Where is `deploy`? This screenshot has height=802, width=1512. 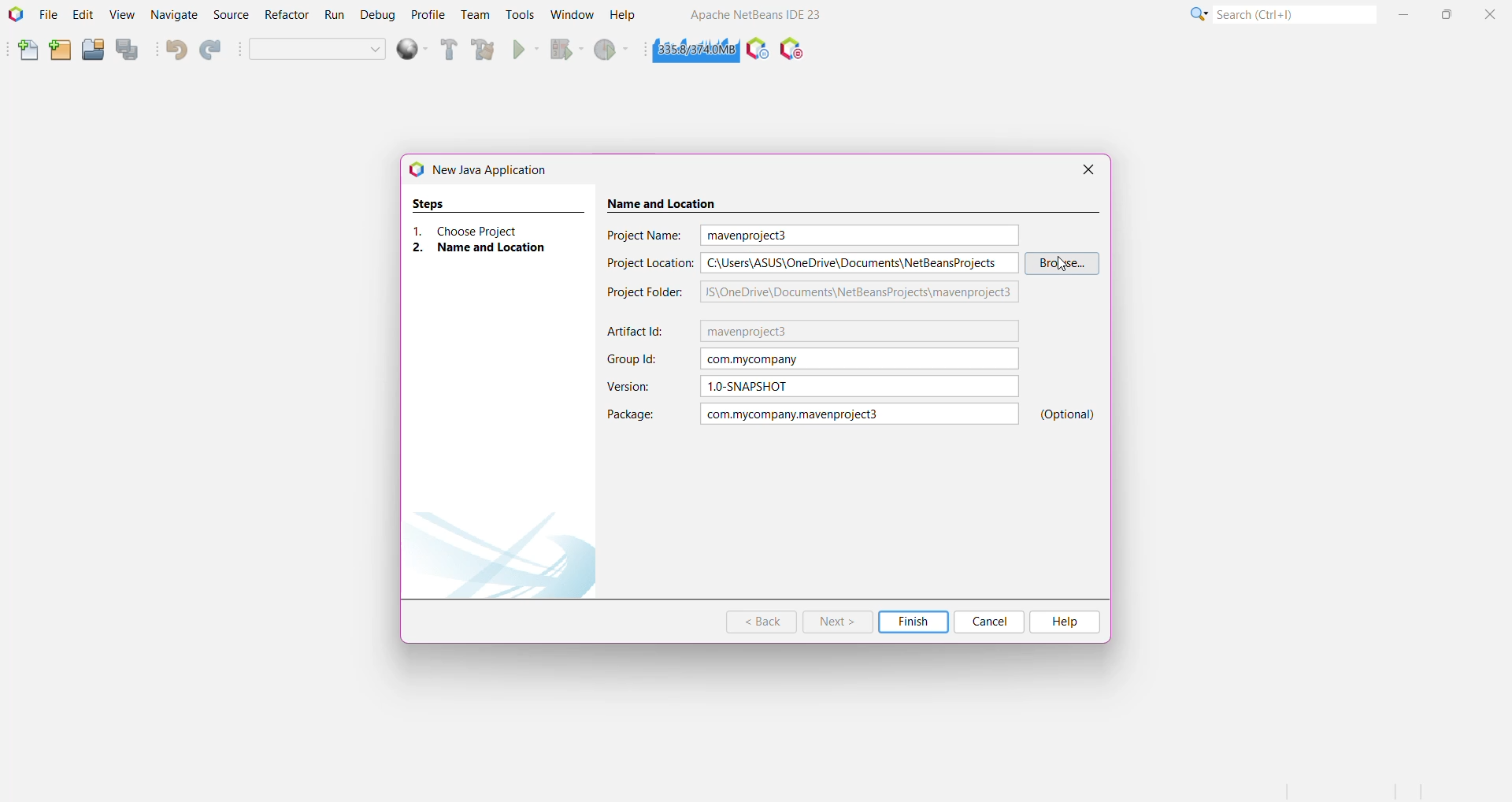 deploy is located at coordinates (407, 51).